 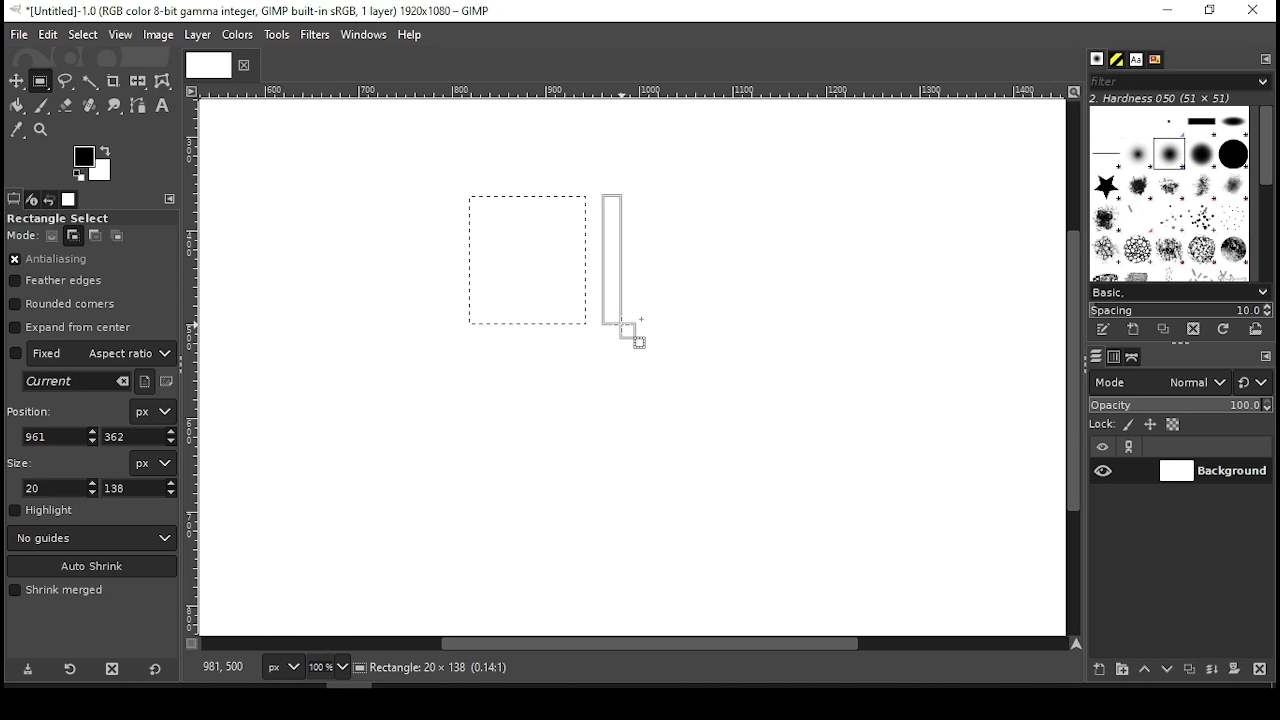 What do you see at coordinates (61, 281) in the screenshot?
I see `feather edges` at bounding box center [61, 281].